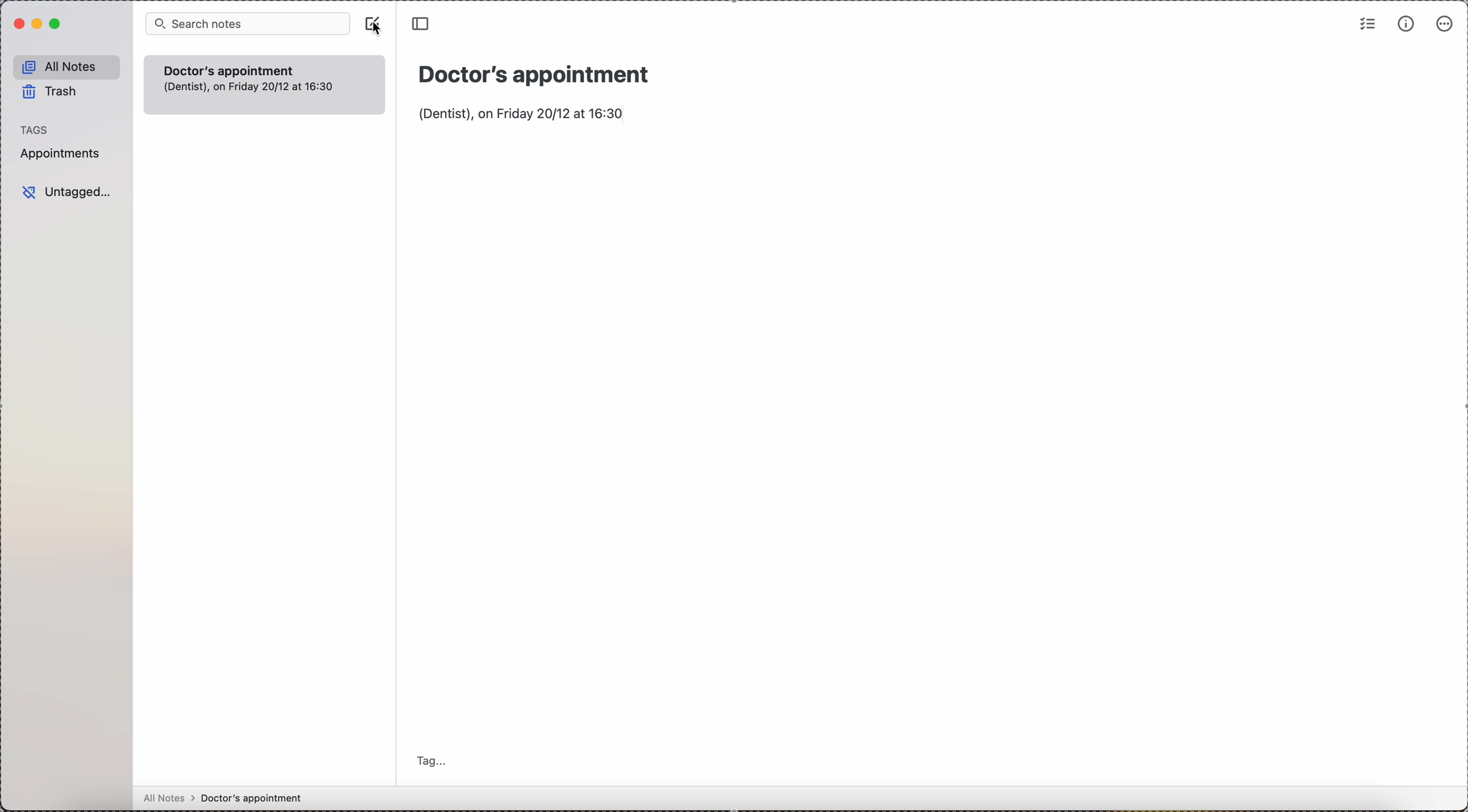 This screenshot has height=812, width=1468. I want to click on more options, so click(1443, 25).